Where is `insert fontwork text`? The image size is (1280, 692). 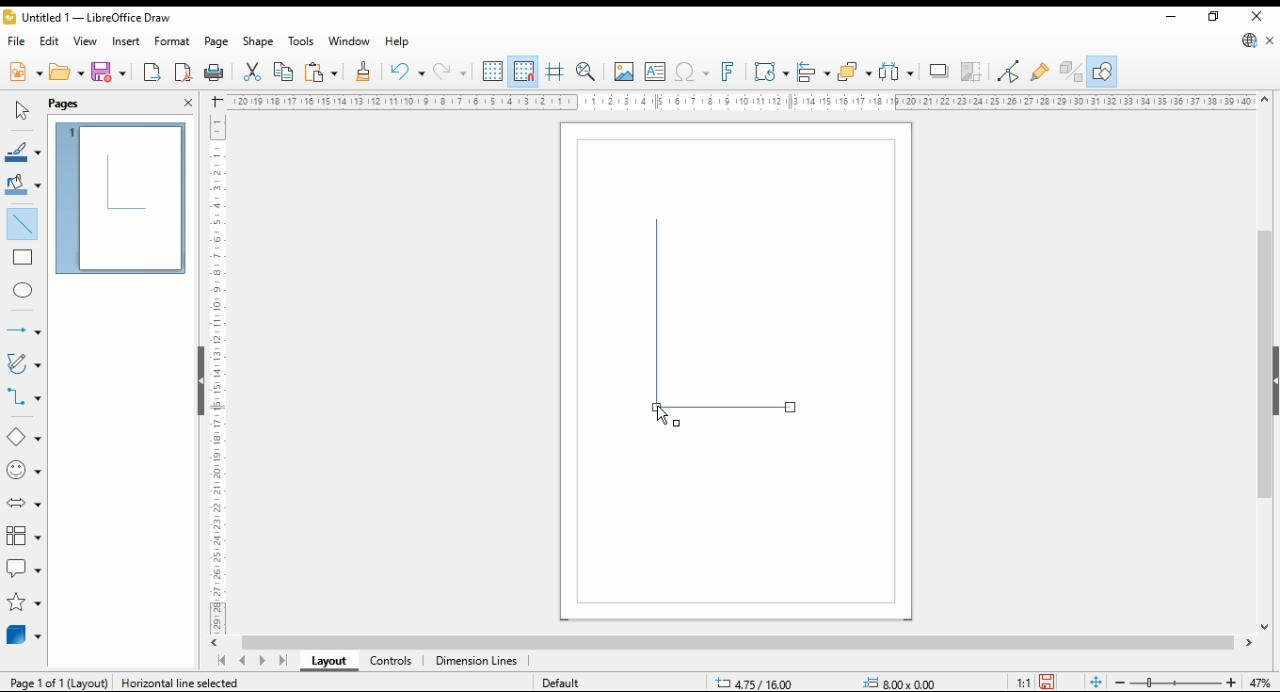 insert fontwork text is located at coordinates (728, 71).